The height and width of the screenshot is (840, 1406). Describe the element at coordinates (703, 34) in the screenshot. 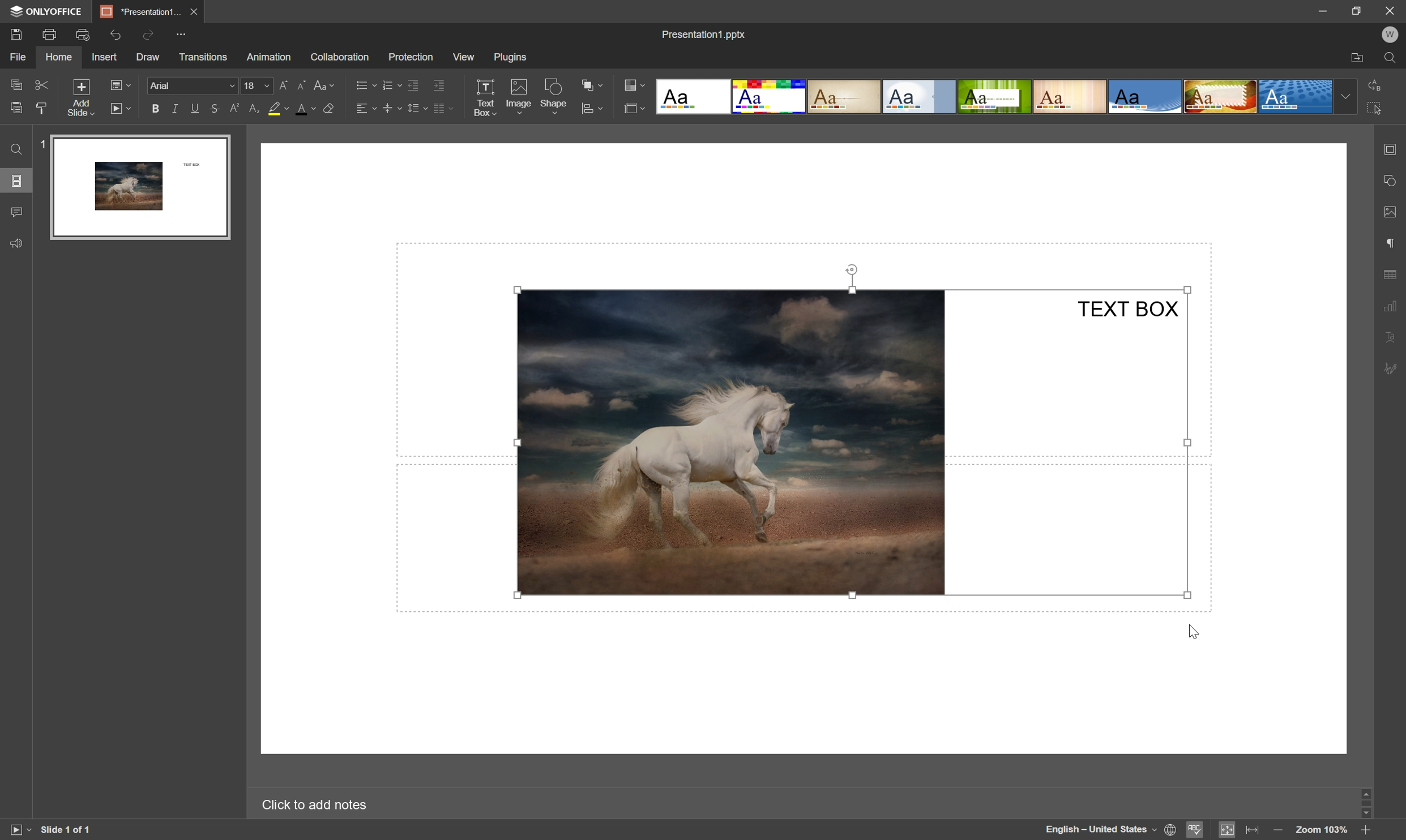

I see `presentation.pptx` at that location.